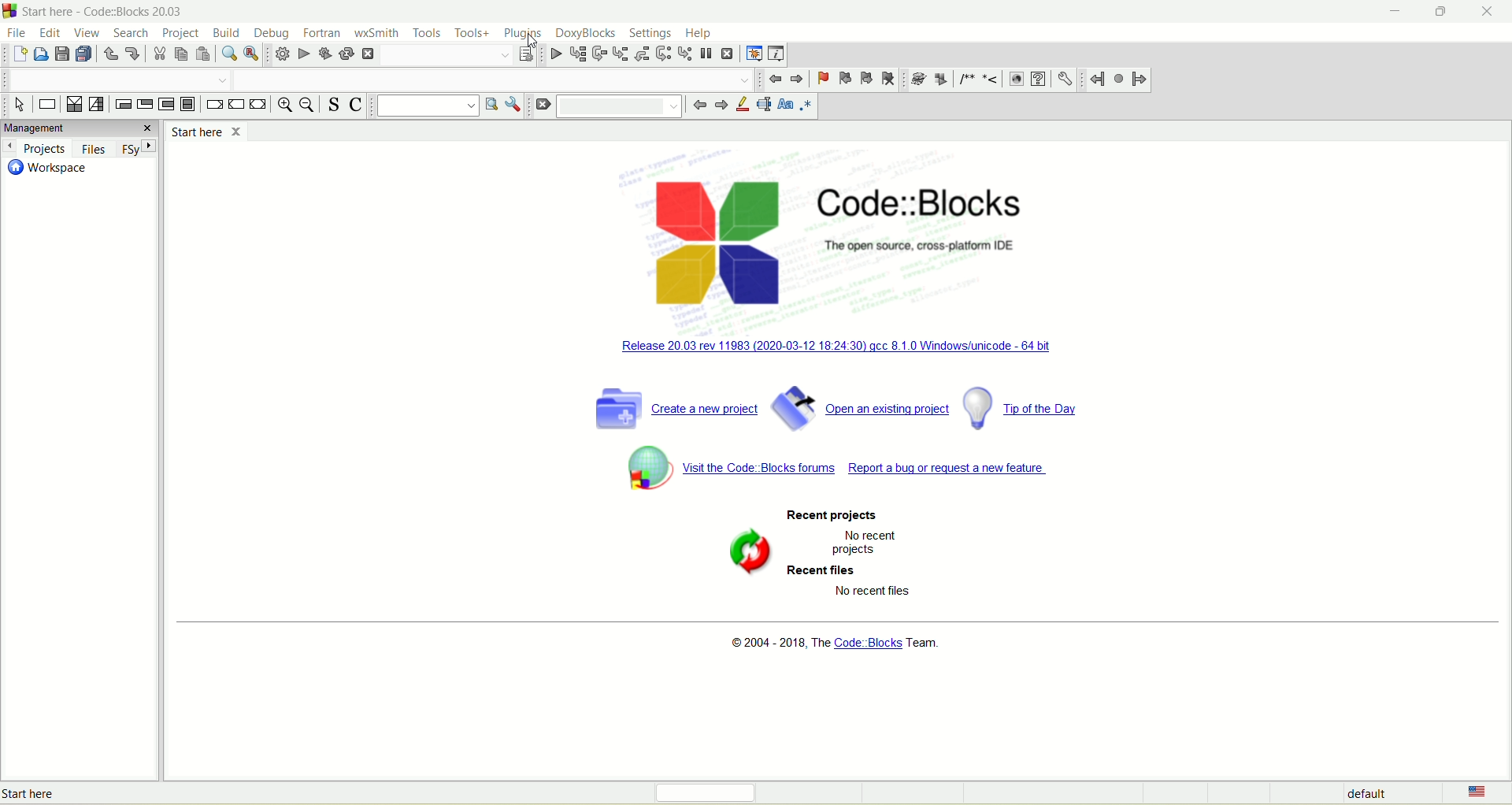 This screenshot has width=1512, height=805. Describe the element at coordinates (46, 169) in the screenshot. I see `workspace` at that location.